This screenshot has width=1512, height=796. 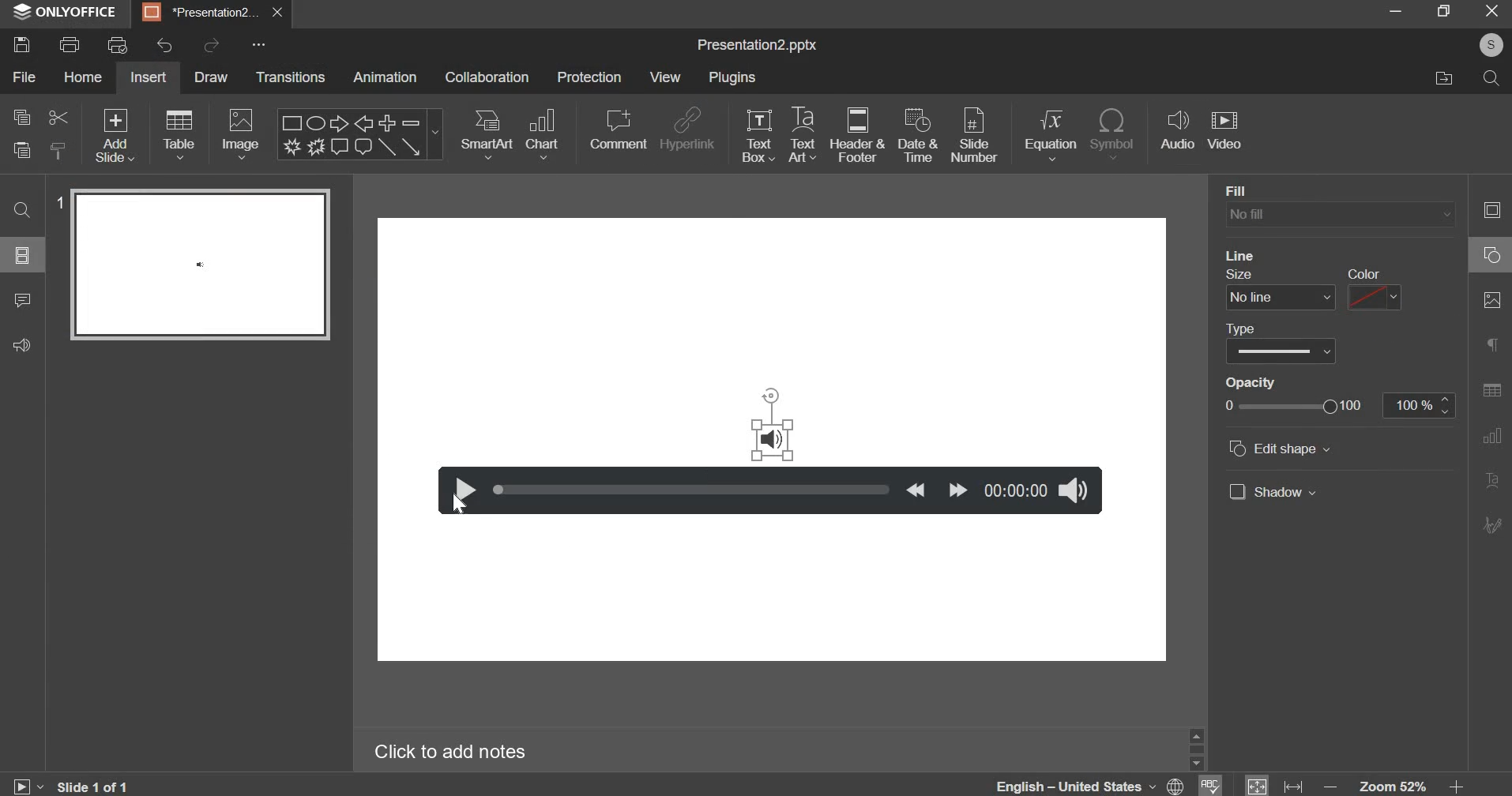 What do you see at coordinates (1087, 785) in the screenshot?
I see `language` at bounding box center [1087, 785].